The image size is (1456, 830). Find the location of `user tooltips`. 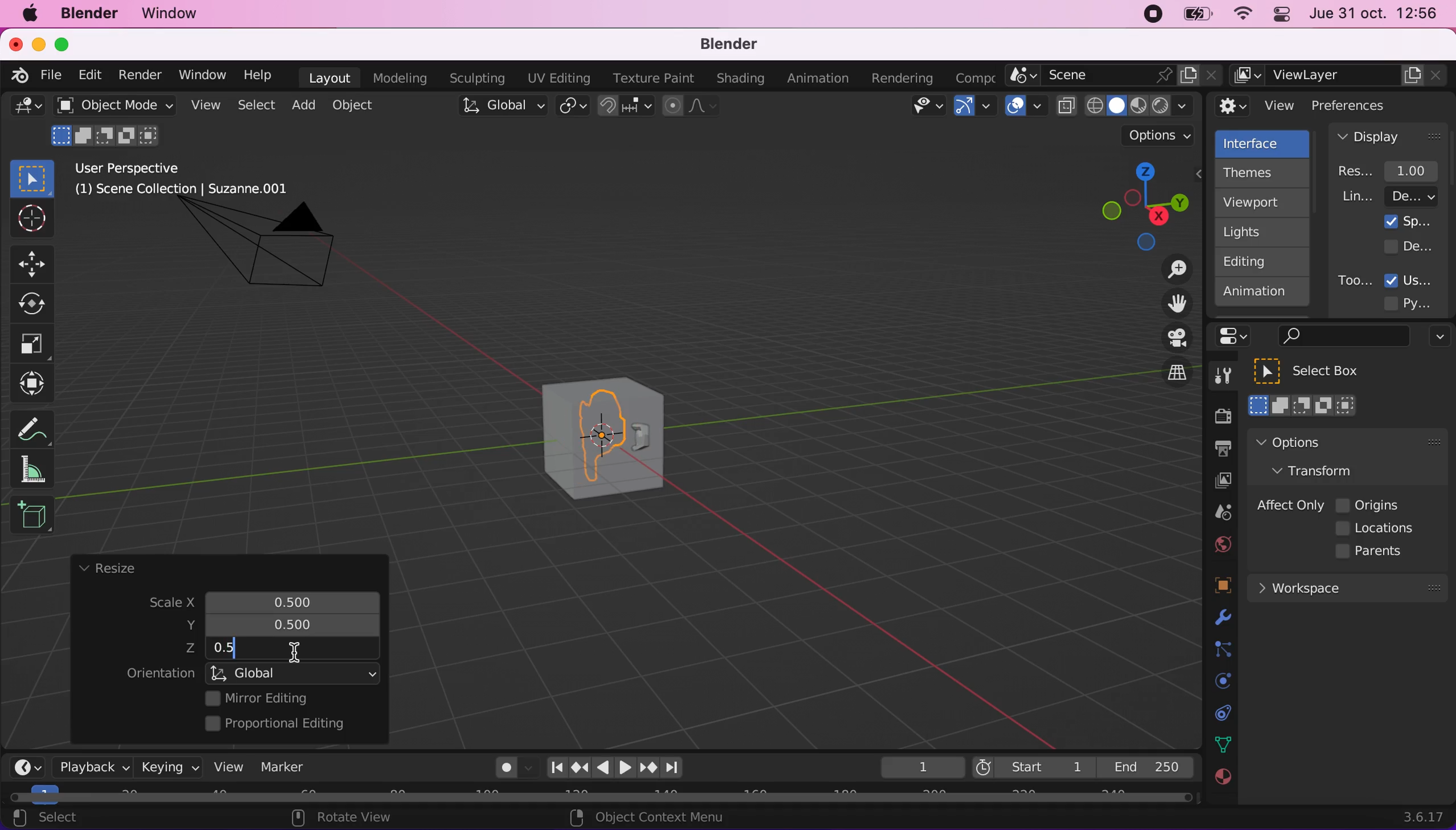

user tooltips is located at coordinates (1418, 279).